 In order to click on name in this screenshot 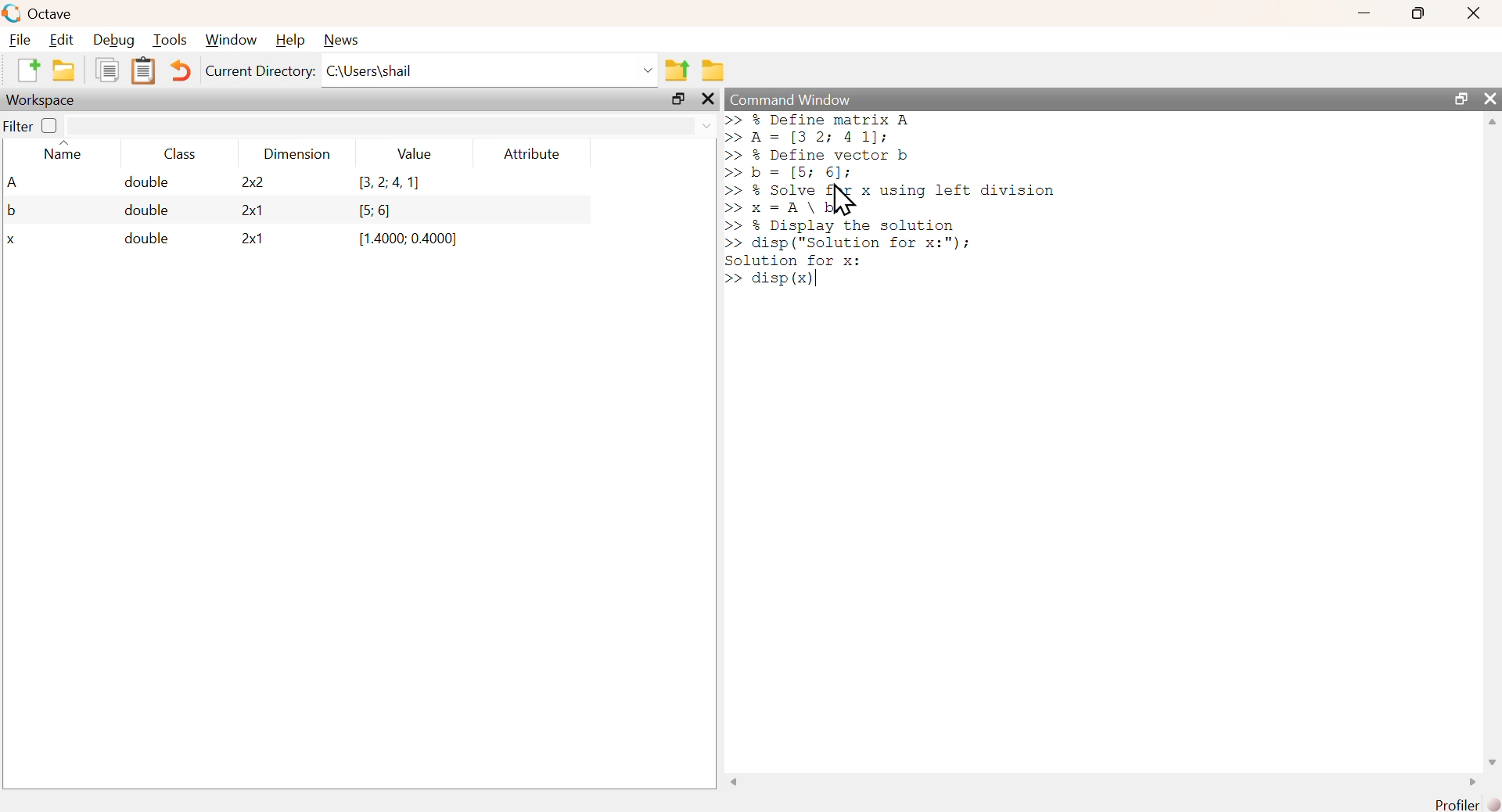, I will do `click(60, 153)`.